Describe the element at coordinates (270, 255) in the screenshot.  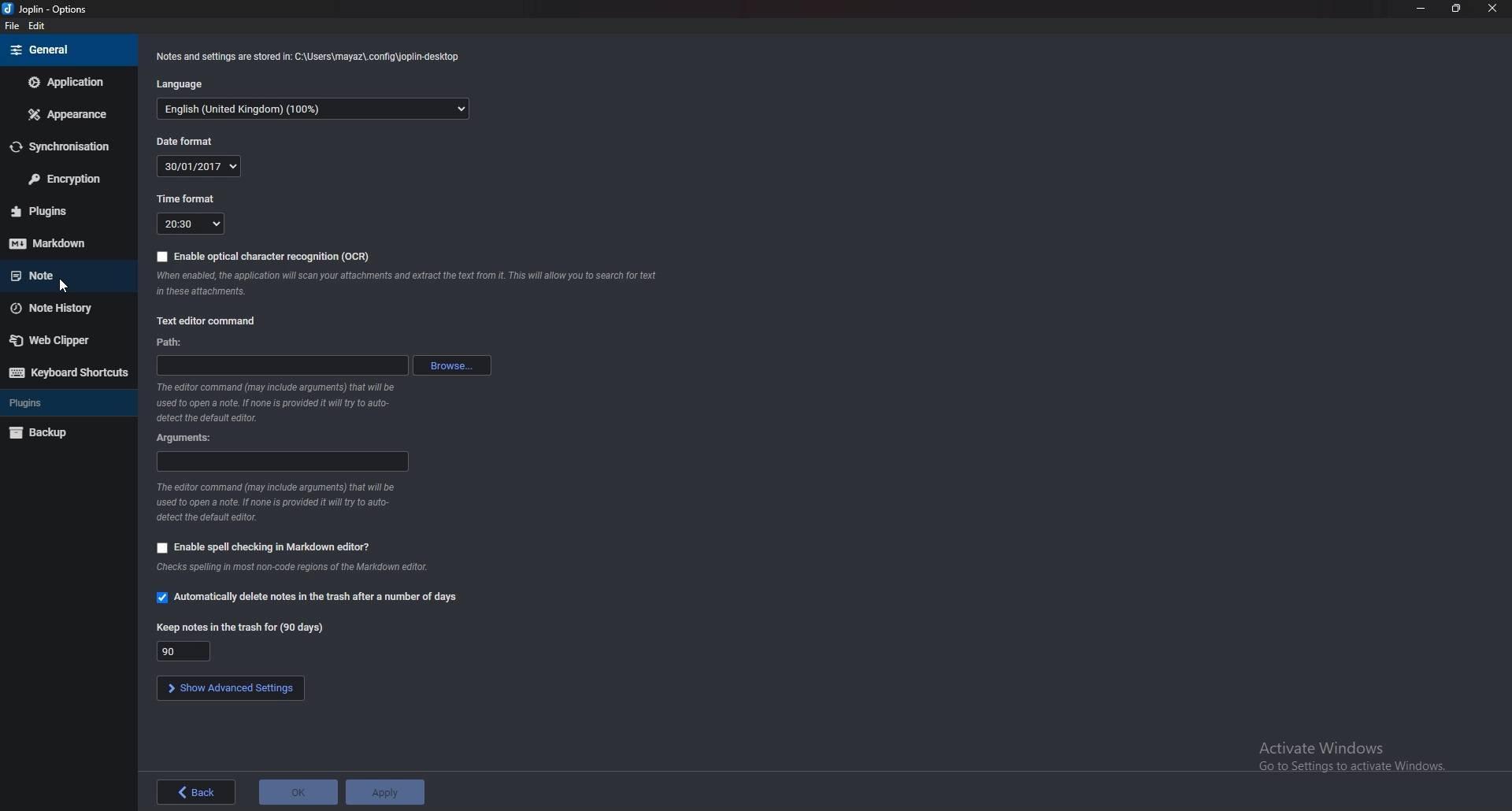
I see `Enable O C R` at that location.